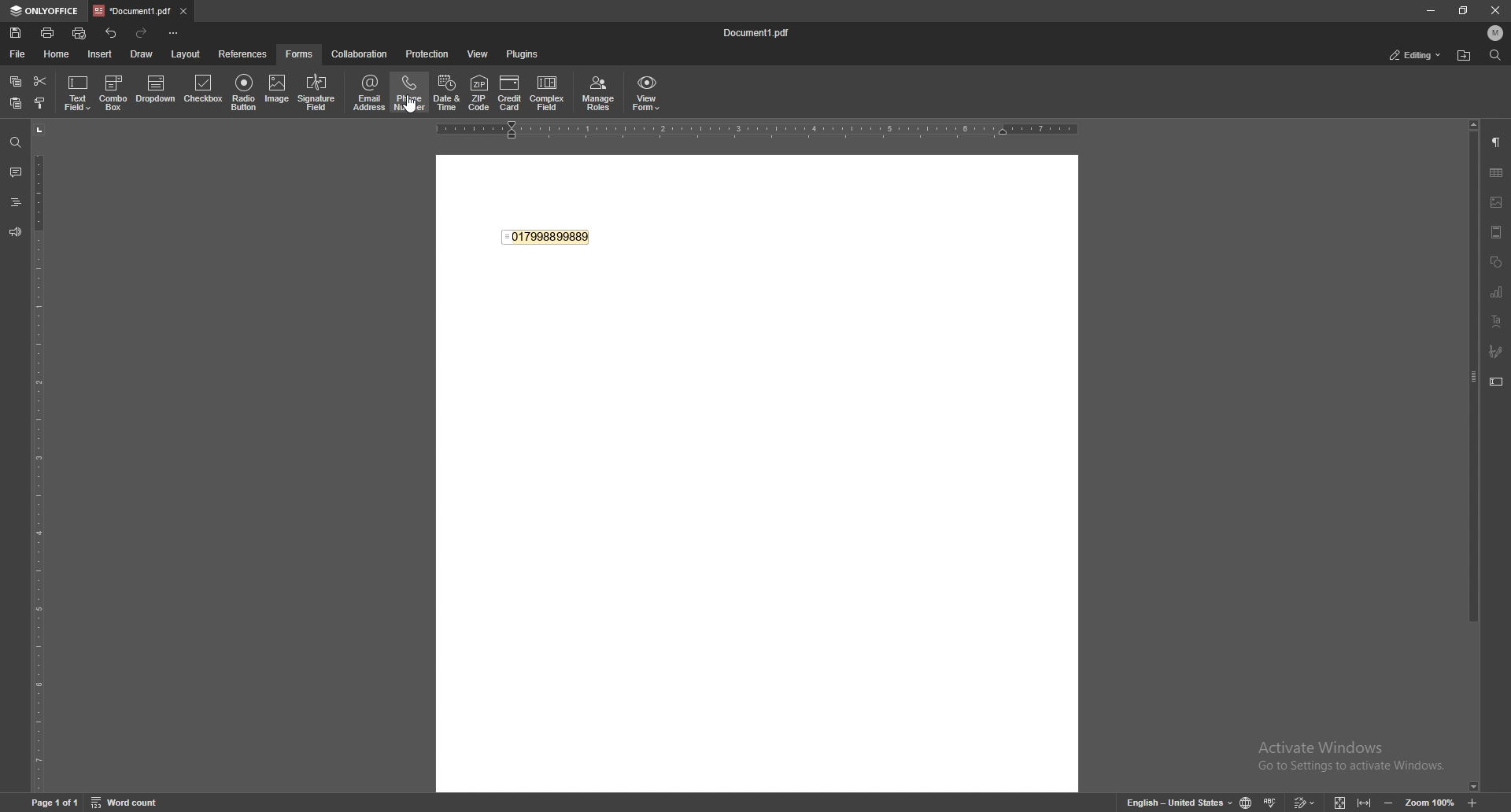  What do you see at coordinates (243, 93) in the screenshot?
I see `radio button` at bounding box center [243, 93].